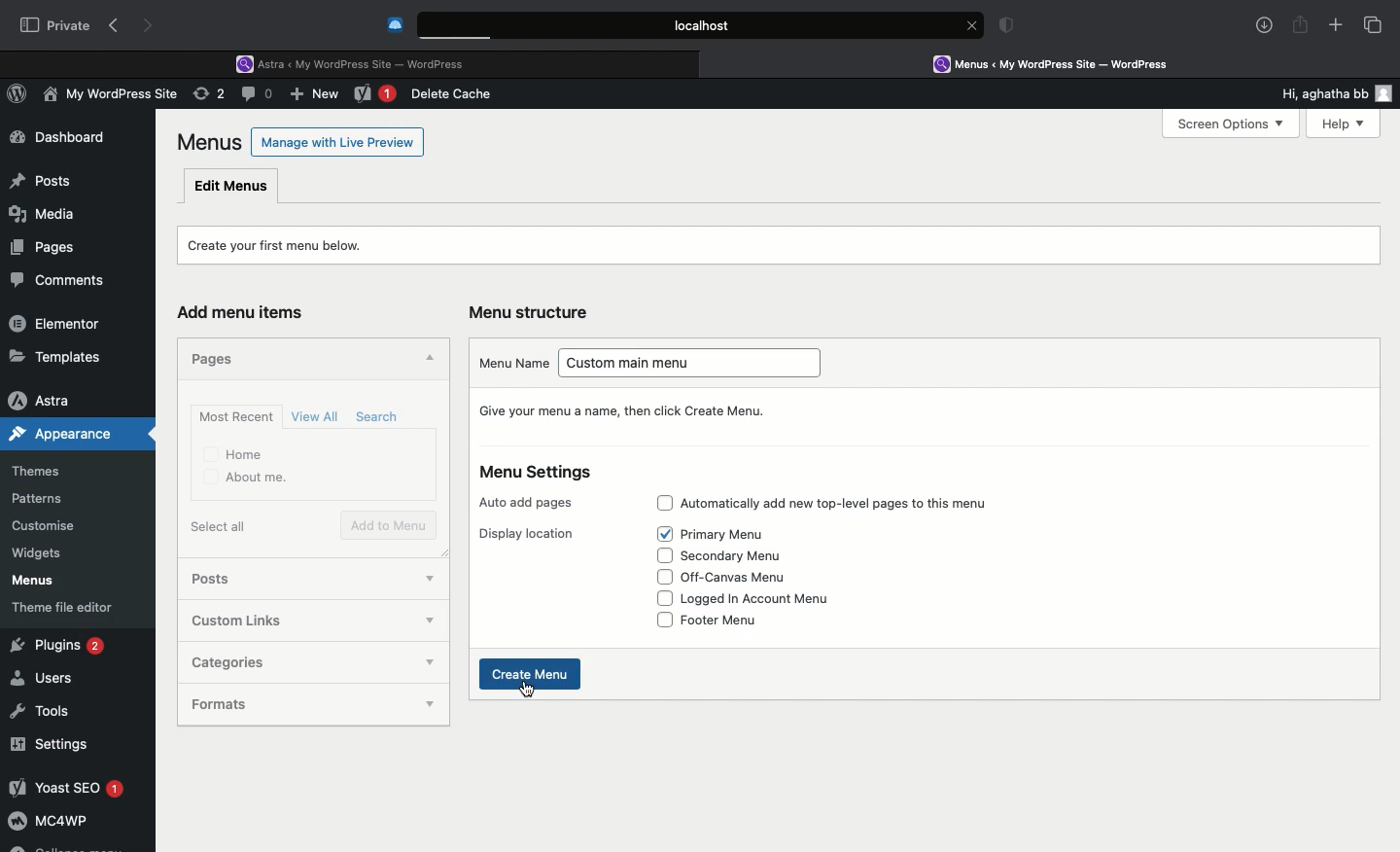 This screenshot has width=1400, height=852. Describe the element at coordinates (233, 416) in the screenshot. I see `Most recent` at that location.